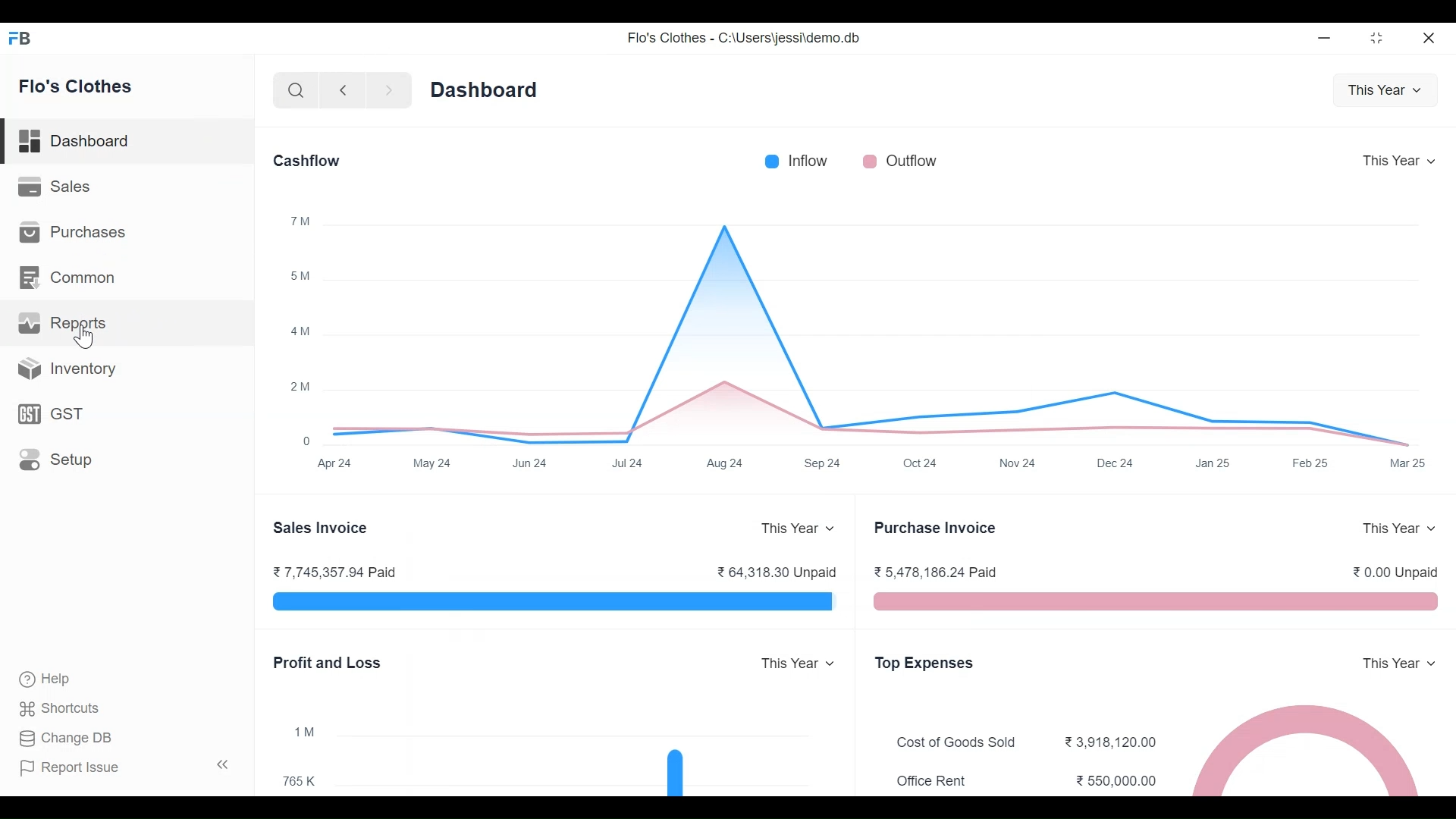  What do you see at coordinates (1157, 601) in the screenshot?
I see `visual representation of paid over unpaid amount ` at bounding box center [1157, 601].